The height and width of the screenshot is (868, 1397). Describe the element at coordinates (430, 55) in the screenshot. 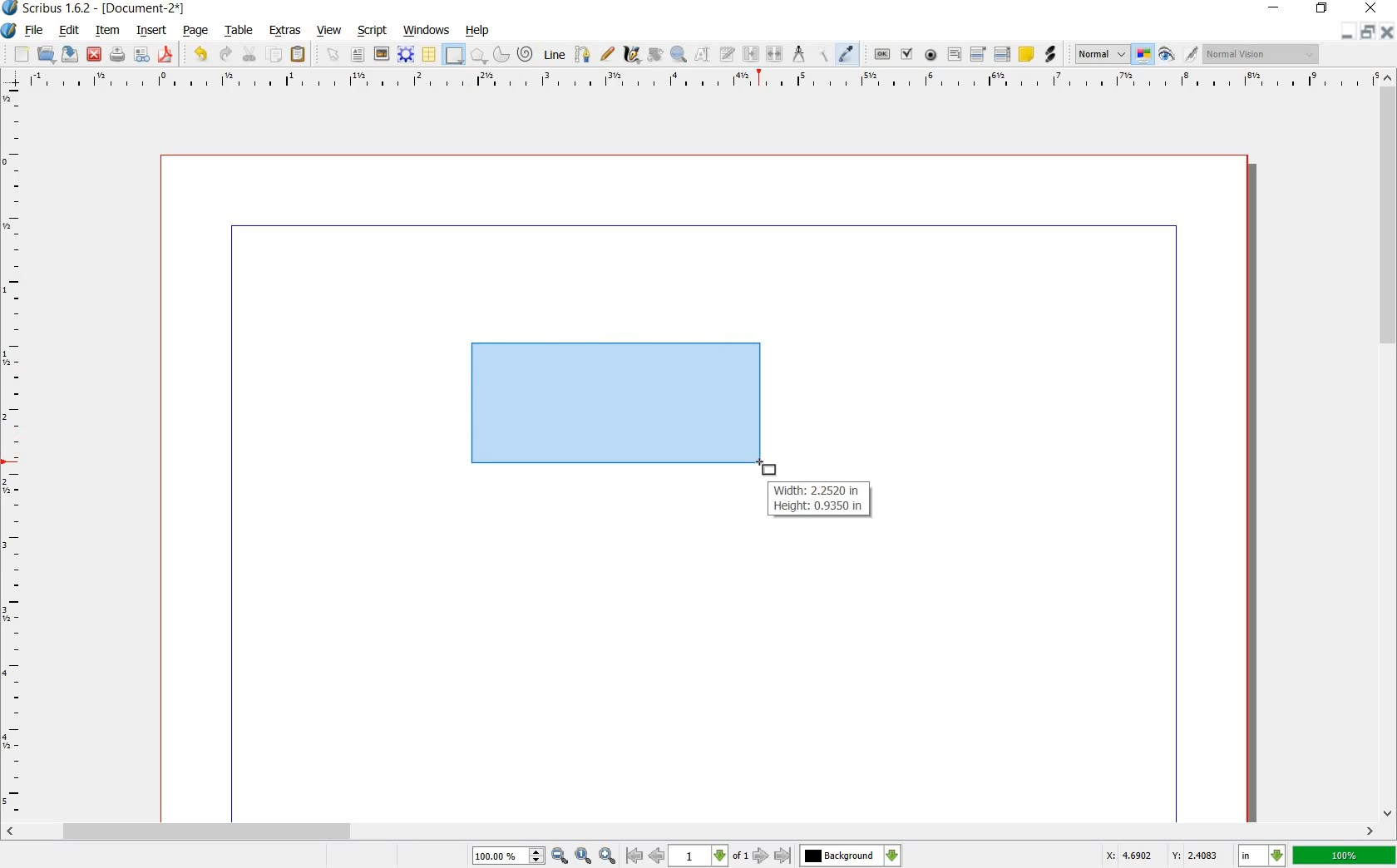

I see `TABLE` at that location.